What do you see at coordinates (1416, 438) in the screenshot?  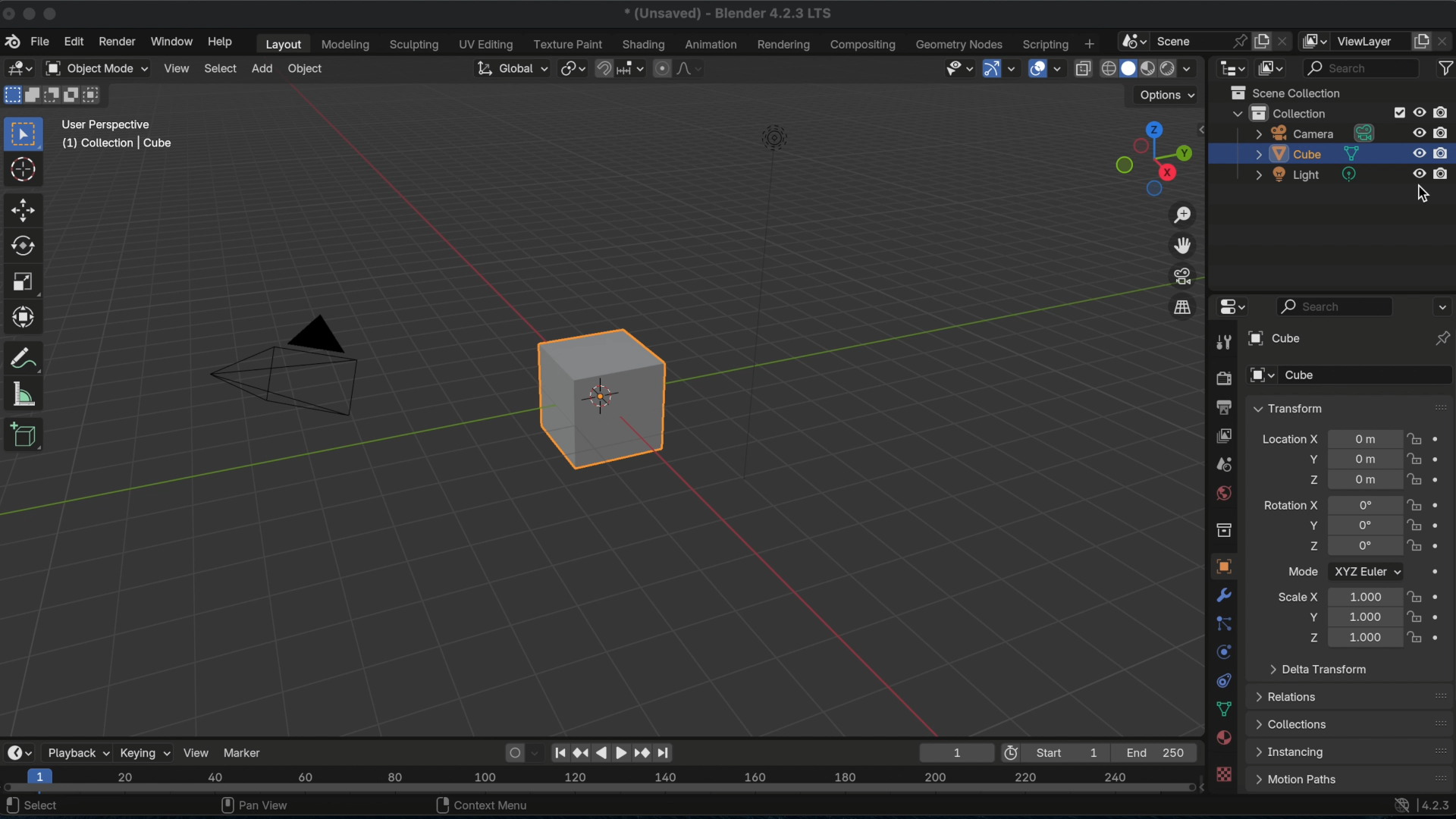 I see `lock location` at bounding box center [1416, 438].